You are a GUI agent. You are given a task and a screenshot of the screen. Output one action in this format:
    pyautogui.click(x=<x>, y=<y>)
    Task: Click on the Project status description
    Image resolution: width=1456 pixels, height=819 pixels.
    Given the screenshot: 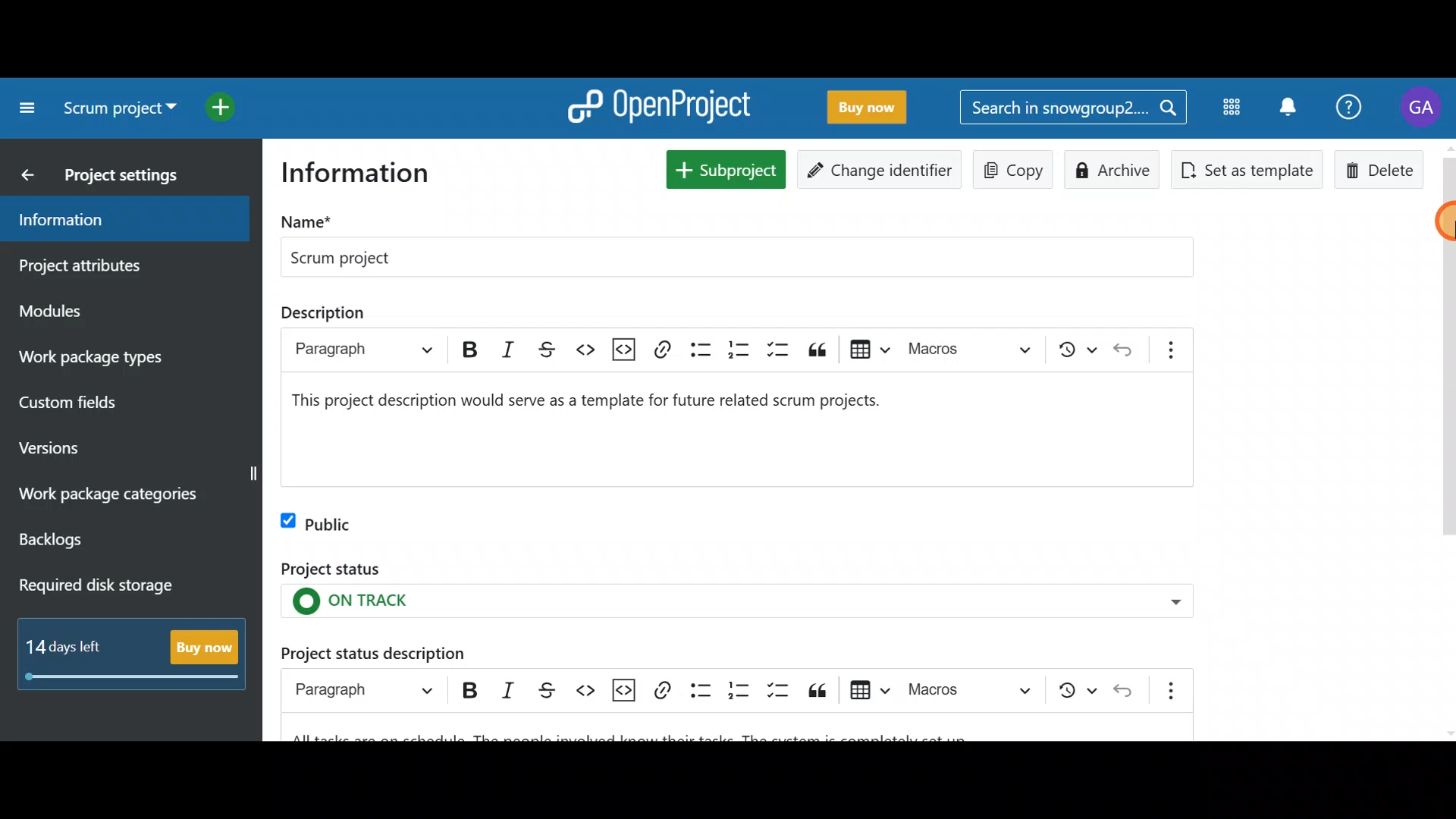 What is the action you would take?
    pyautogui.click(x=742, y=730)
    